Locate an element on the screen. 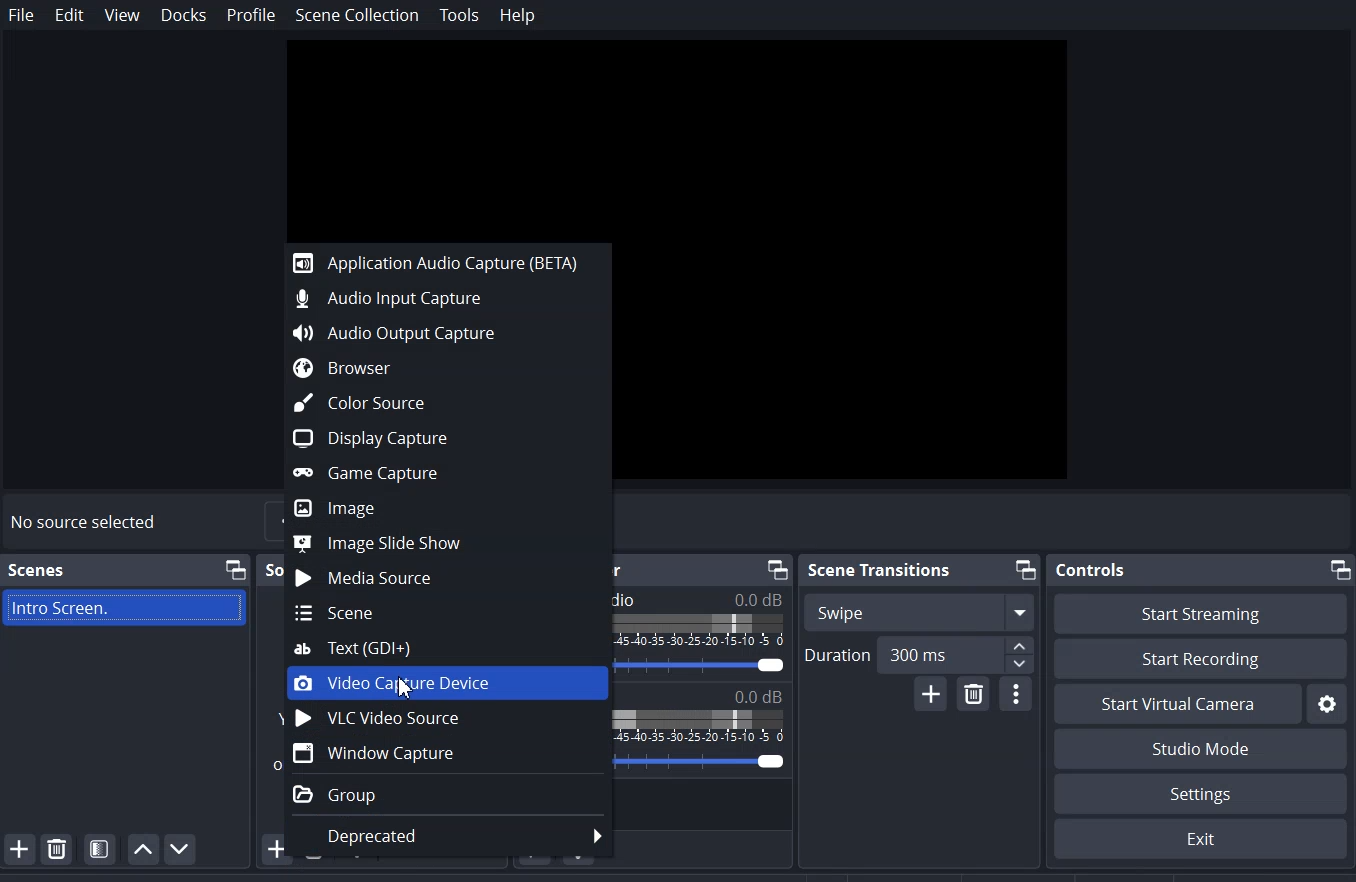  Move Scene Up is located at coordinates (143, 849).